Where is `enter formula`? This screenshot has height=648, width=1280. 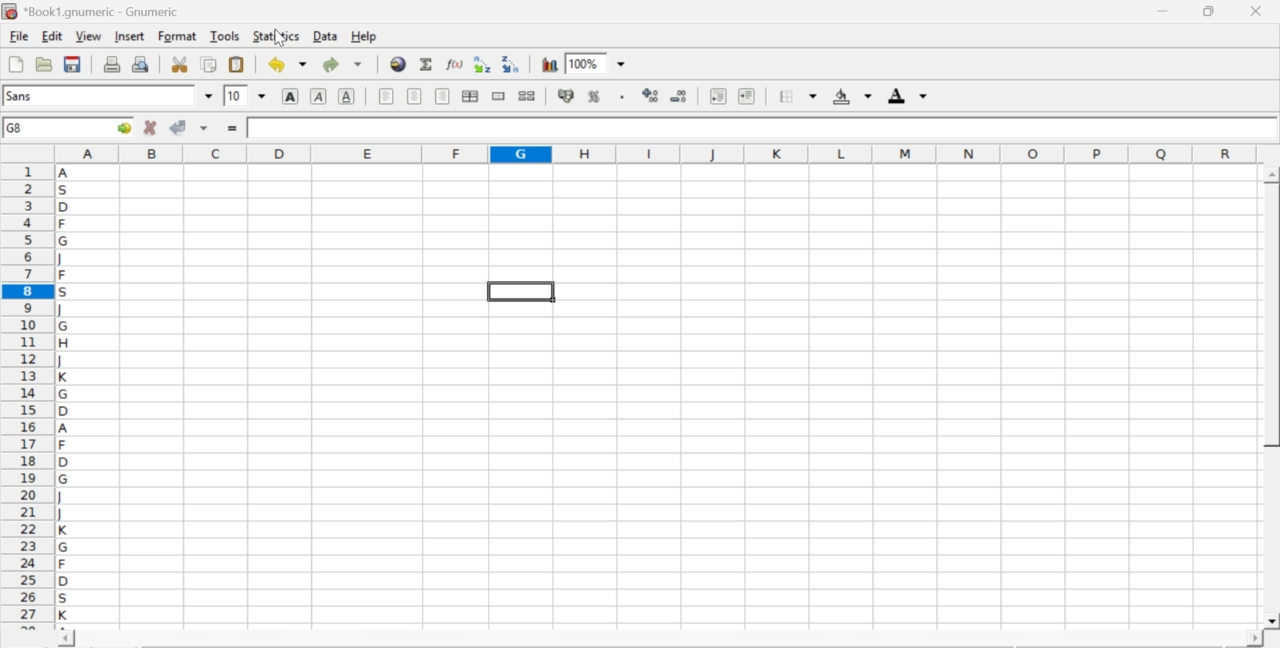
enter formula is located at coordinates (234, 129).